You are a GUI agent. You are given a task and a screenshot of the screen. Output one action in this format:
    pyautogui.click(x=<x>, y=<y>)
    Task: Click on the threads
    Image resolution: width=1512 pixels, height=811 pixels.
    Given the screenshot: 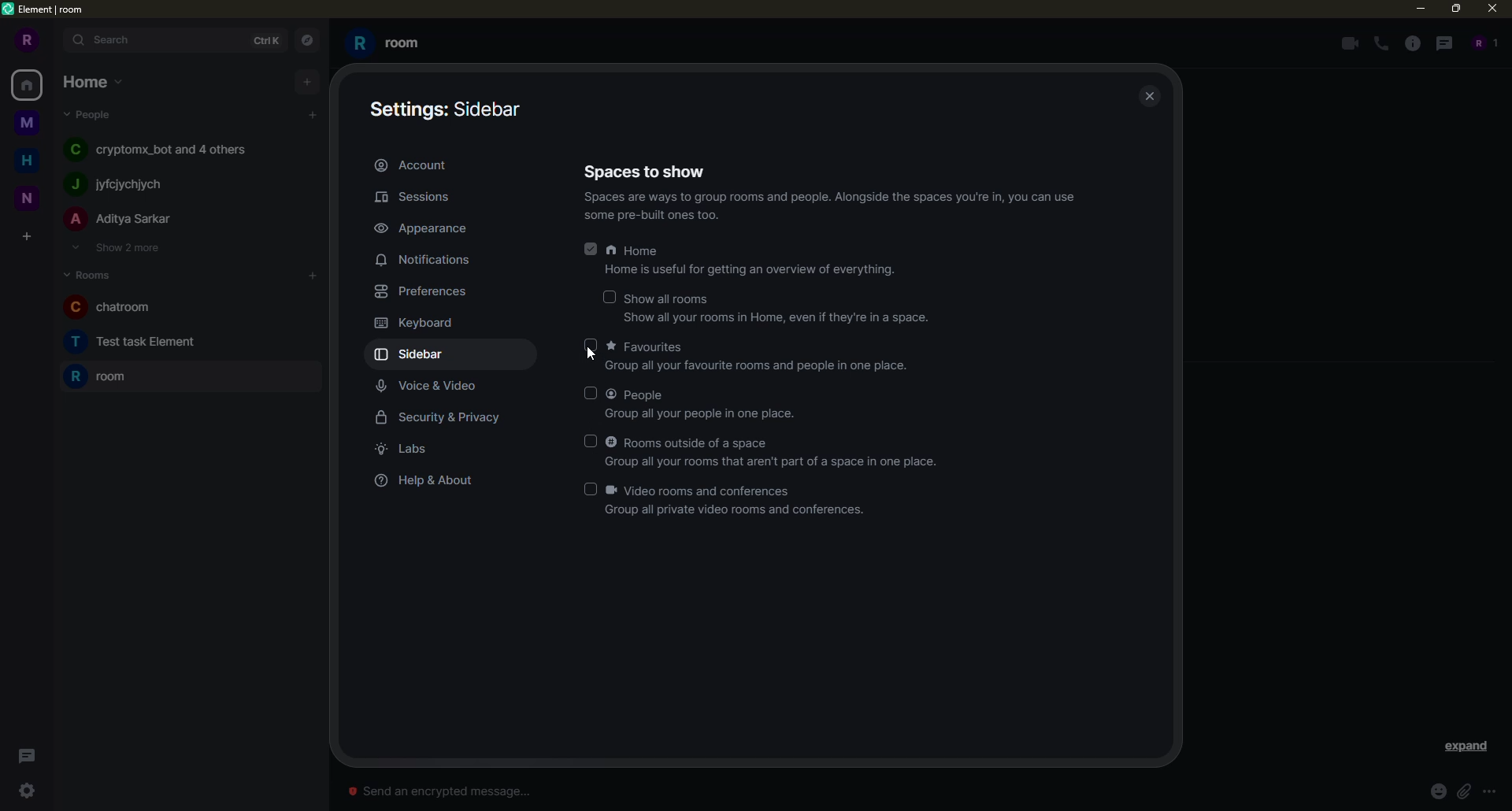 What is the action you would take?
    pyautogui.click(x=1447, y=43)
    